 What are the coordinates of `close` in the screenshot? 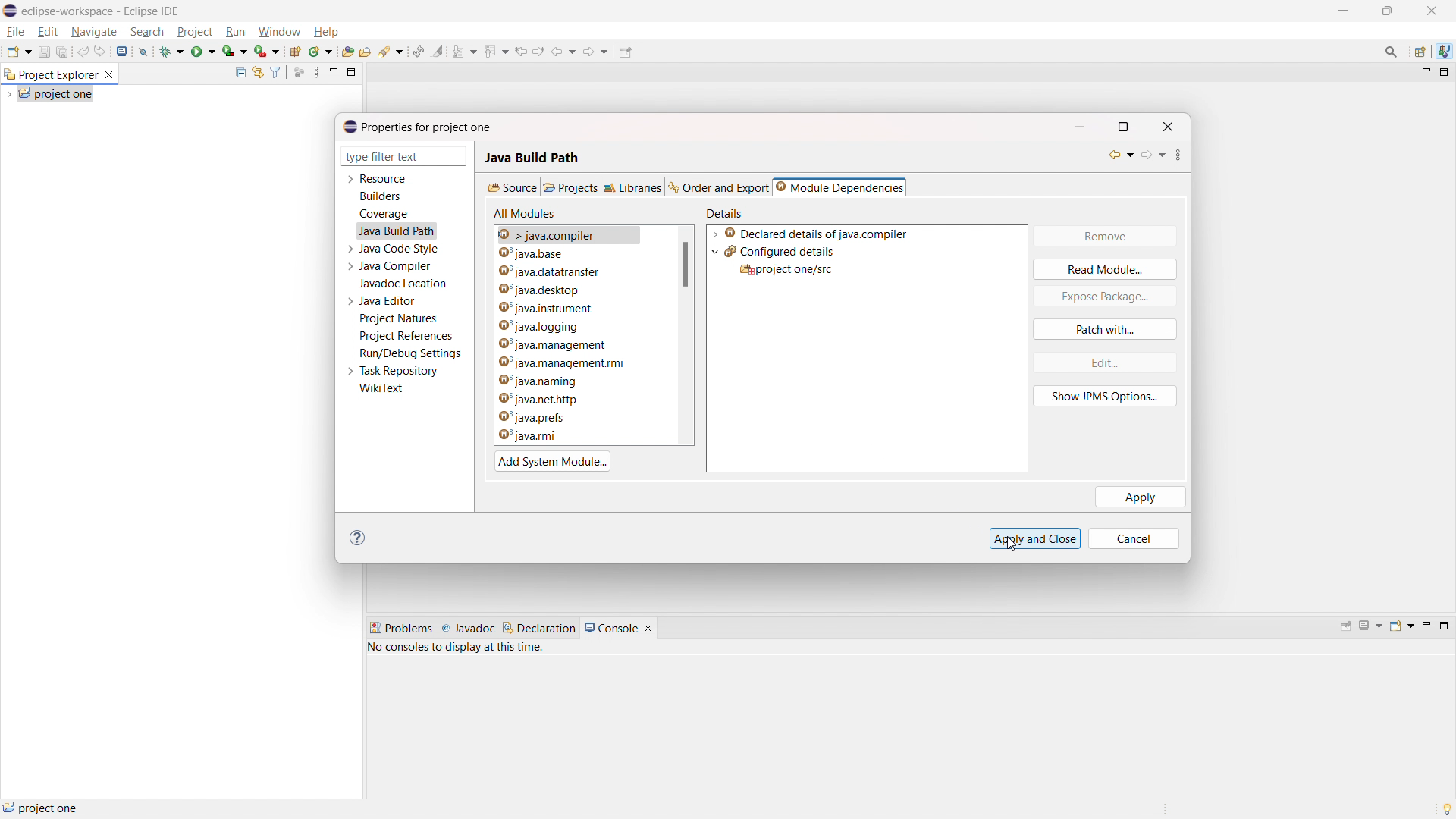 It's located at (1169, 125).